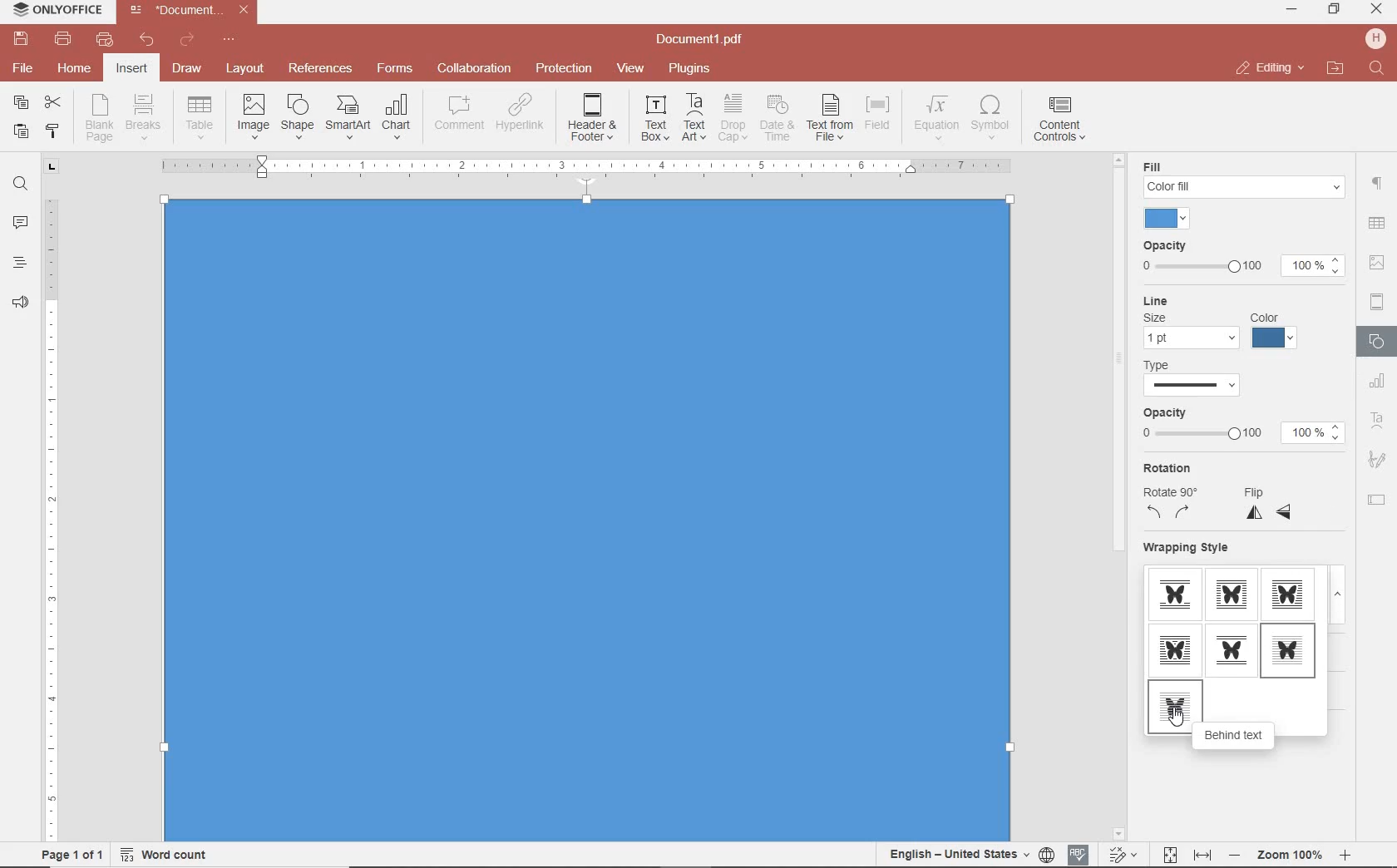 The image size is (1397, 868). I want to click on feedback & support, so click(21, 303).